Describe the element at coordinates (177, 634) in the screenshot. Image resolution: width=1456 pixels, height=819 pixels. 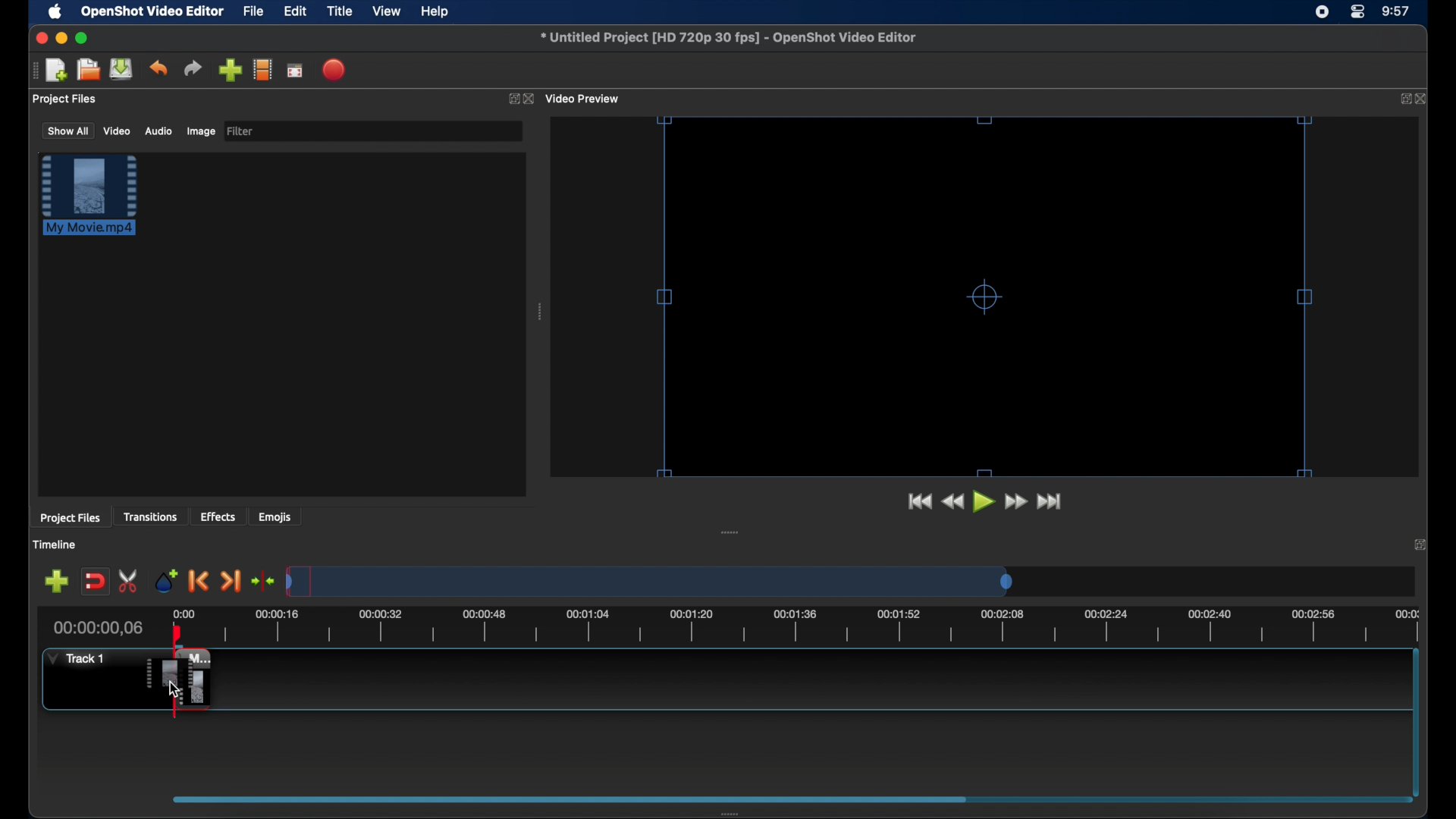
I see `playhead` at that location.